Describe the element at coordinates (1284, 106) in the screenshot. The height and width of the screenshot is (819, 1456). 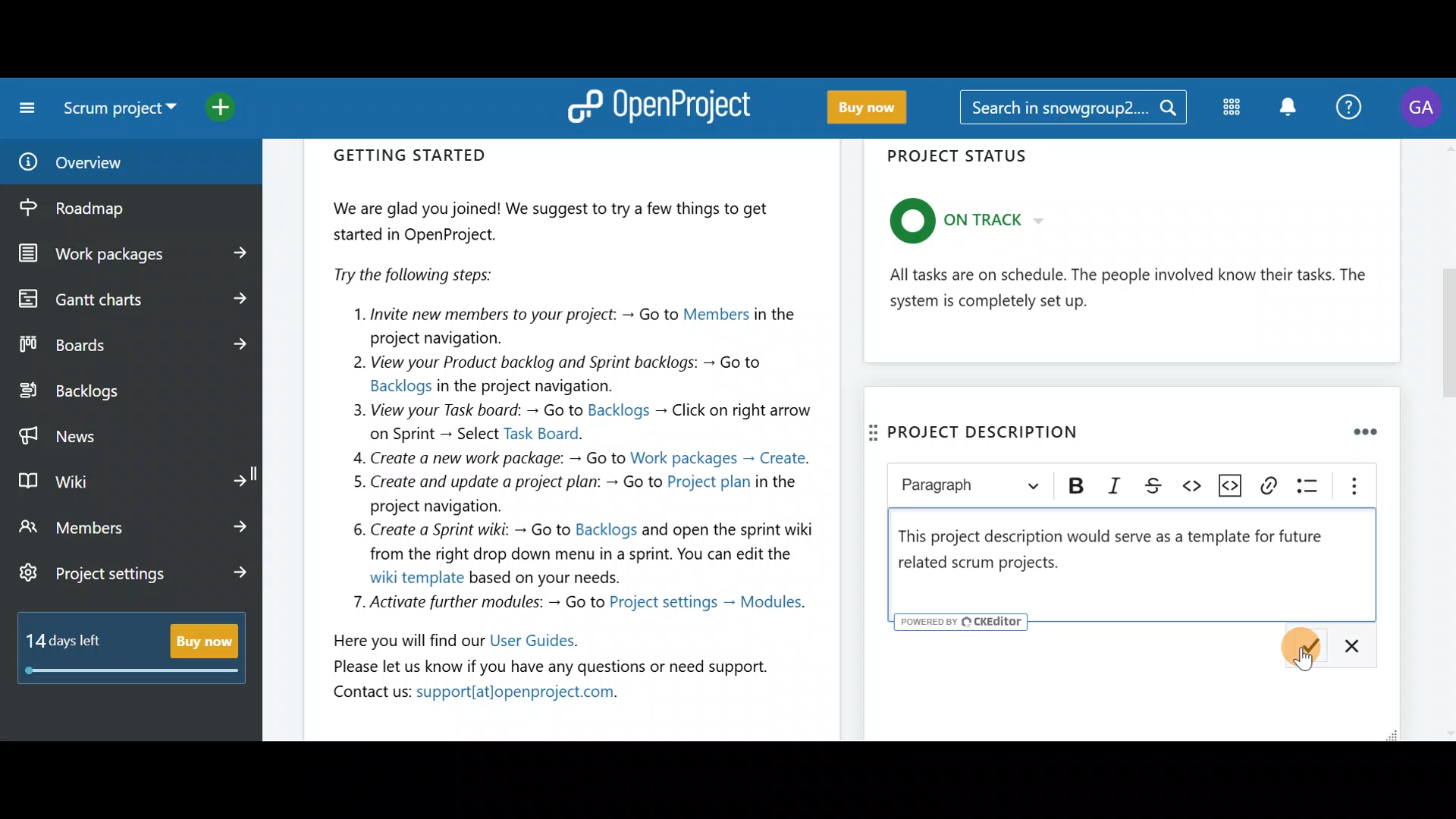
I see `Notification centre` at that location.